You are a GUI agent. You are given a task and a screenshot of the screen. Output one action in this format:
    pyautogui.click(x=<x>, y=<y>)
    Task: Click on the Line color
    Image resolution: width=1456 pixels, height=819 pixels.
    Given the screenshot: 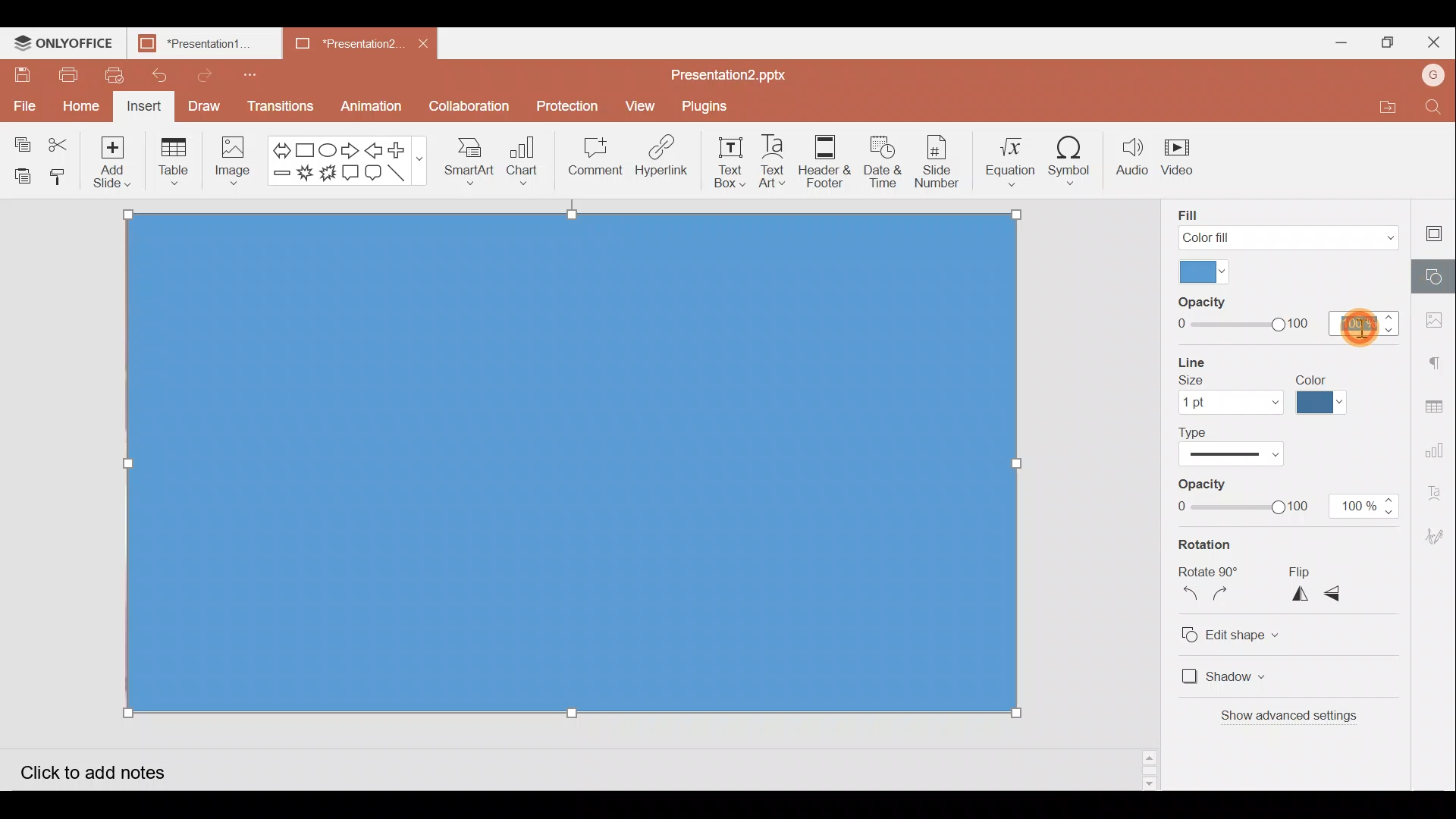 What is the action you would take?
    pyautogui.click(x=1329, y=393)
    